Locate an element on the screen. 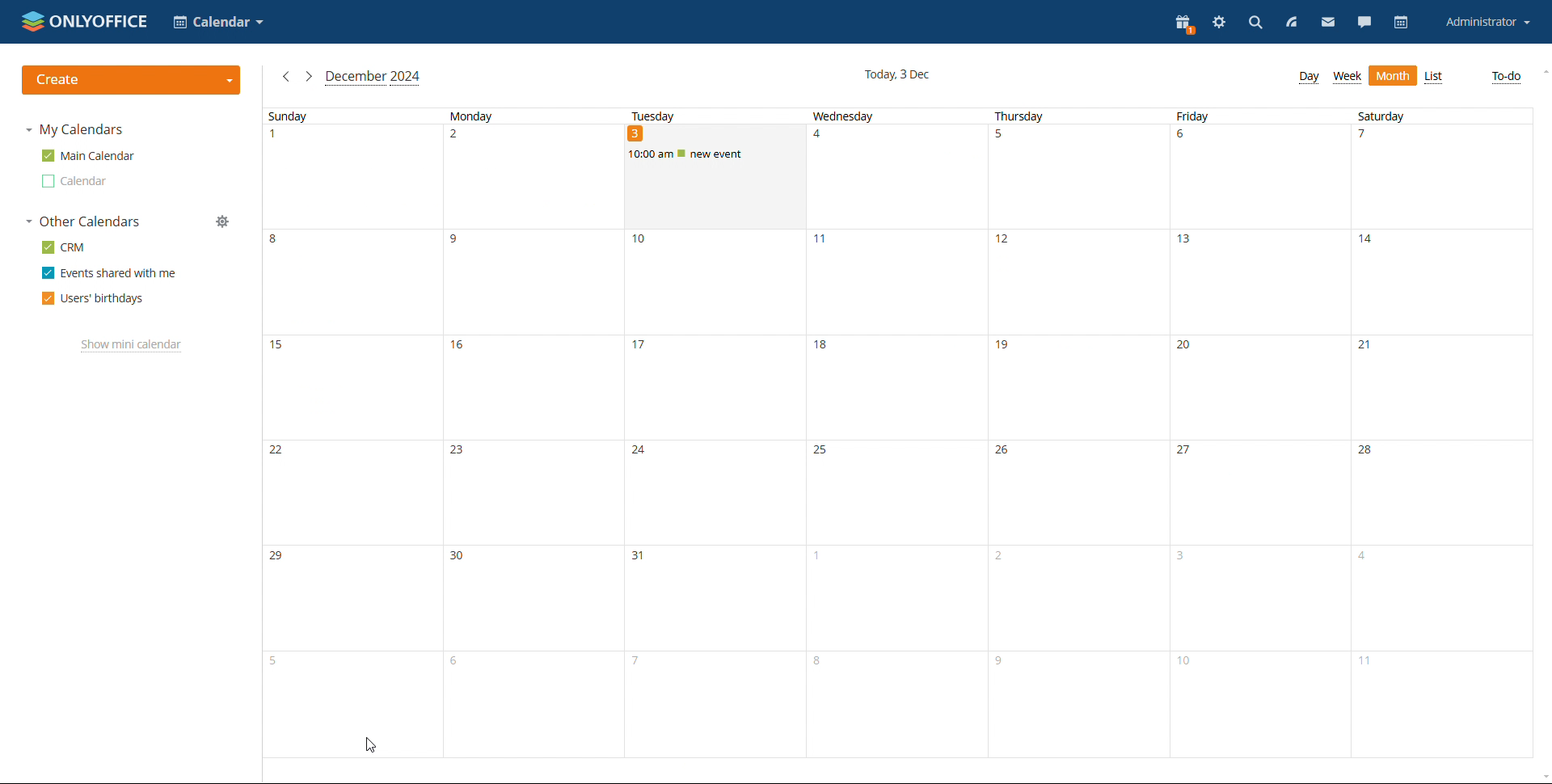 The height and width of the screenshot is (784, 1552). select application is located at coordinates (217, 22).